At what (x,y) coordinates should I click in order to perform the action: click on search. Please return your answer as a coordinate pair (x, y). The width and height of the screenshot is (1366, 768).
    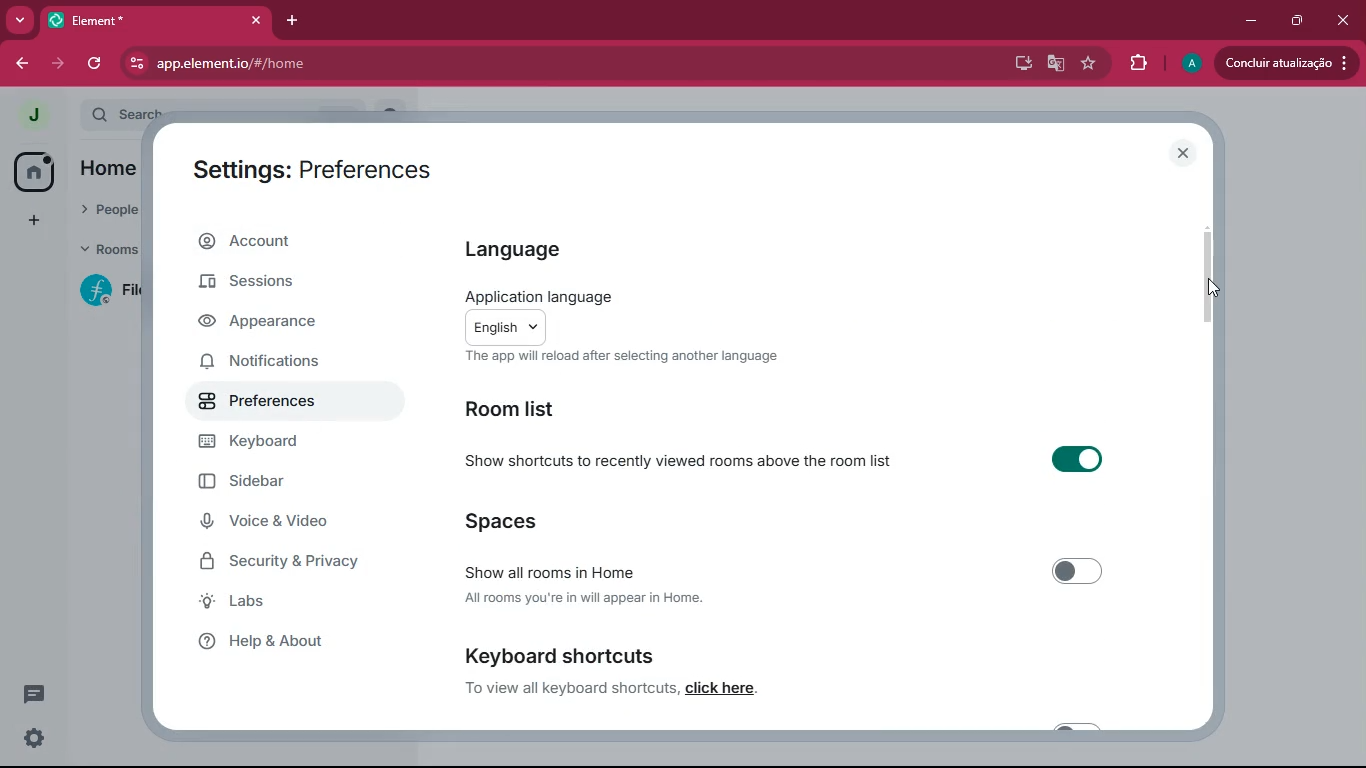
    Looking at the image, I should click on (133, 110).